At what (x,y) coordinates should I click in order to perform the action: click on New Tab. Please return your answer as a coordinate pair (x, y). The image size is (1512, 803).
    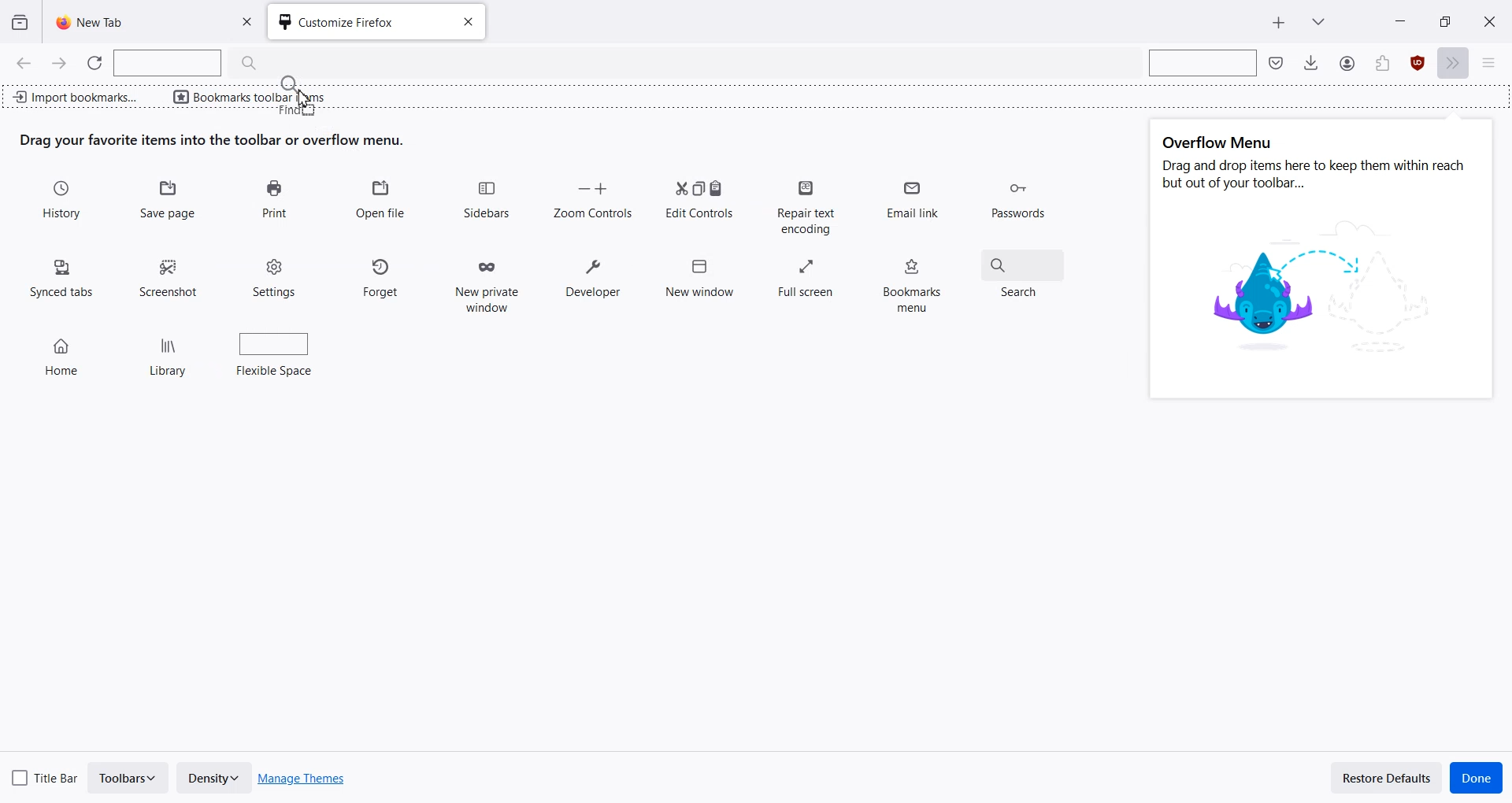
    Looking at the image, I should click on (1279, 23).